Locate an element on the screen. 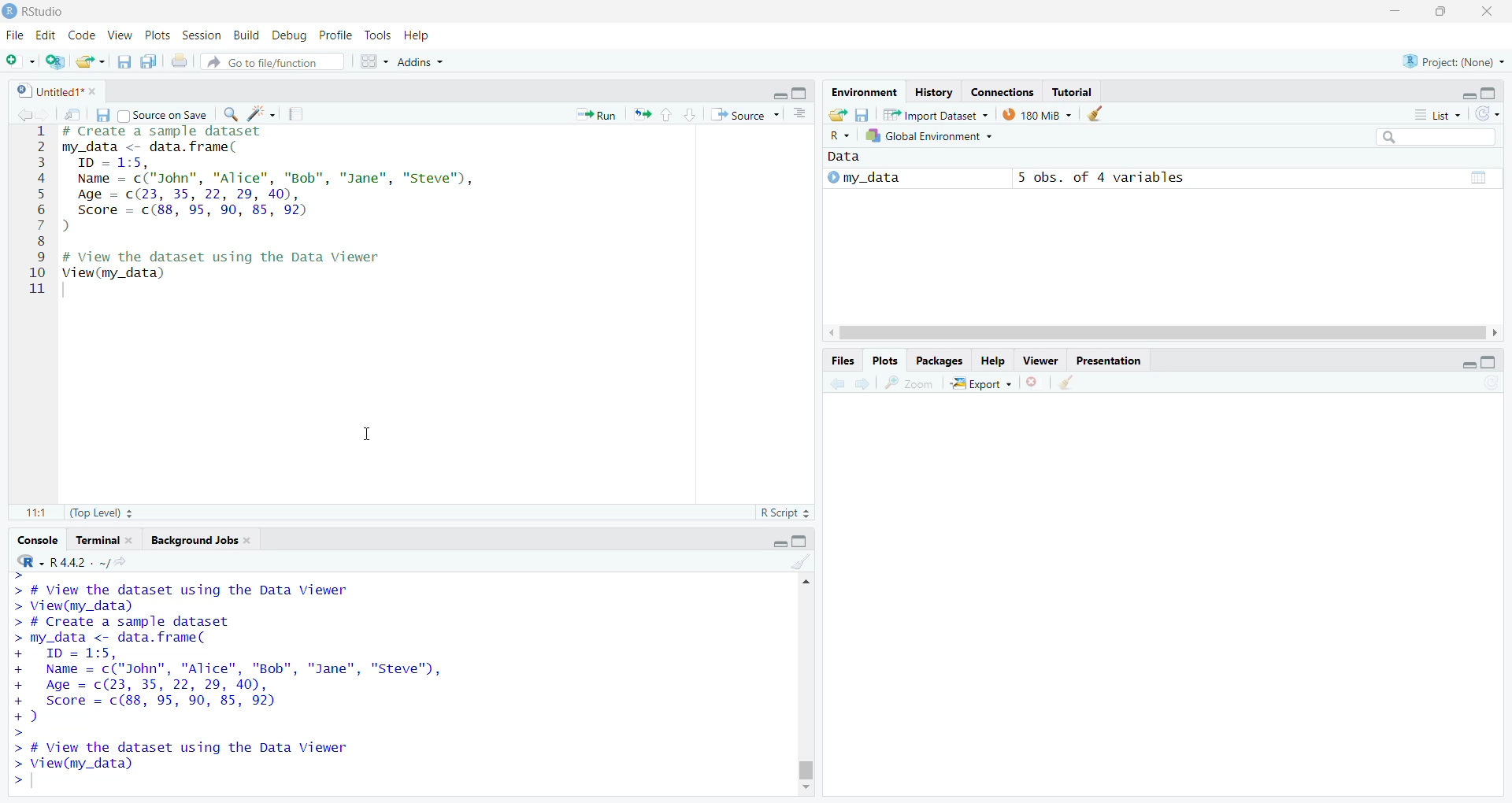  My_data is located at coordinates (863, 179).